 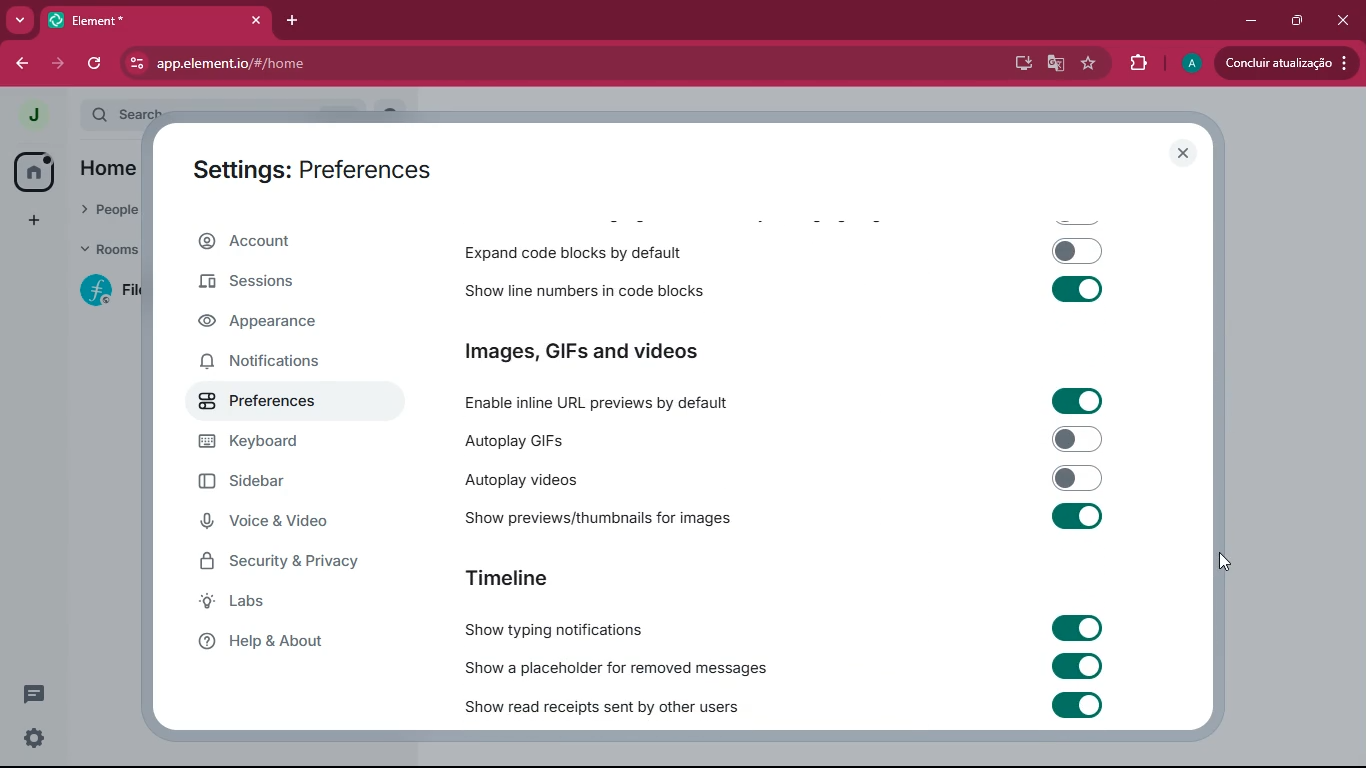 What do you see at coordinates (1078, 667) in the screenshot?
I see `toggle on/off` at bounding box center [1078, 667].